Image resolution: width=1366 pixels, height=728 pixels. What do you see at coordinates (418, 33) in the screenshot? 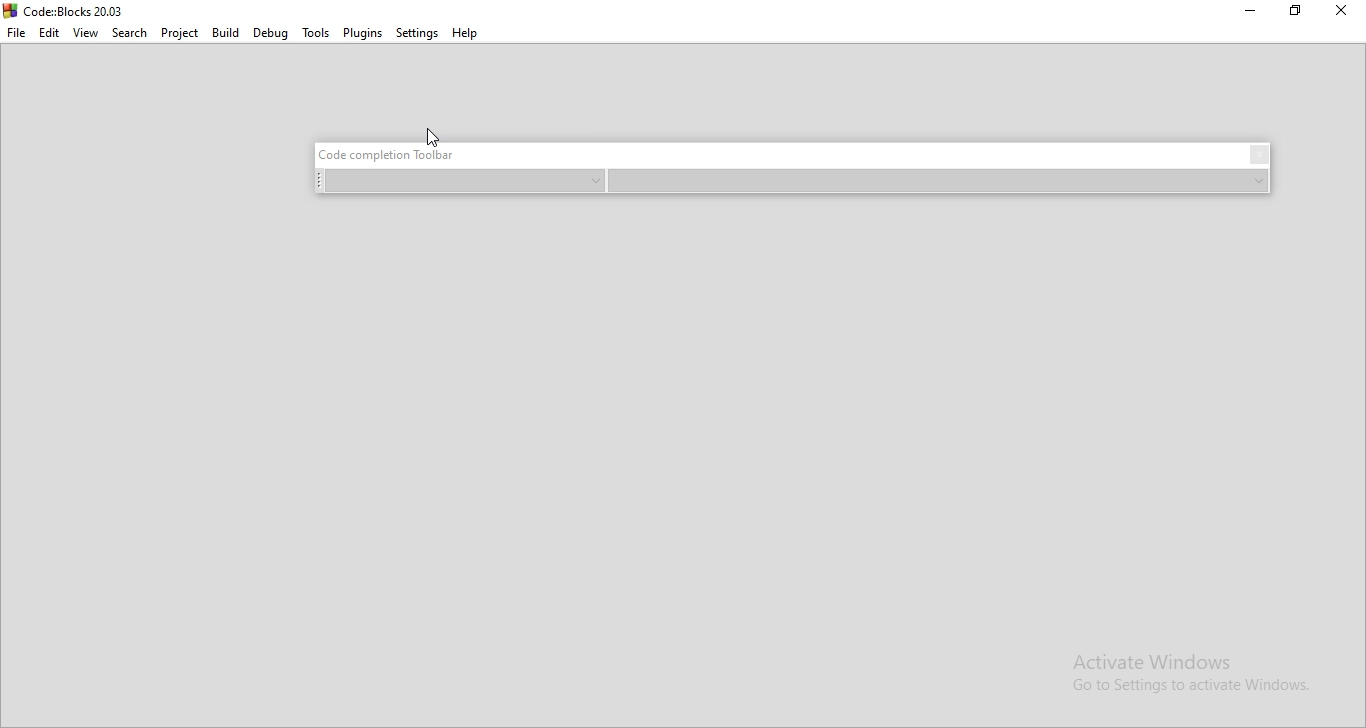
I see `Settings ` at bounding box center [418, 33].